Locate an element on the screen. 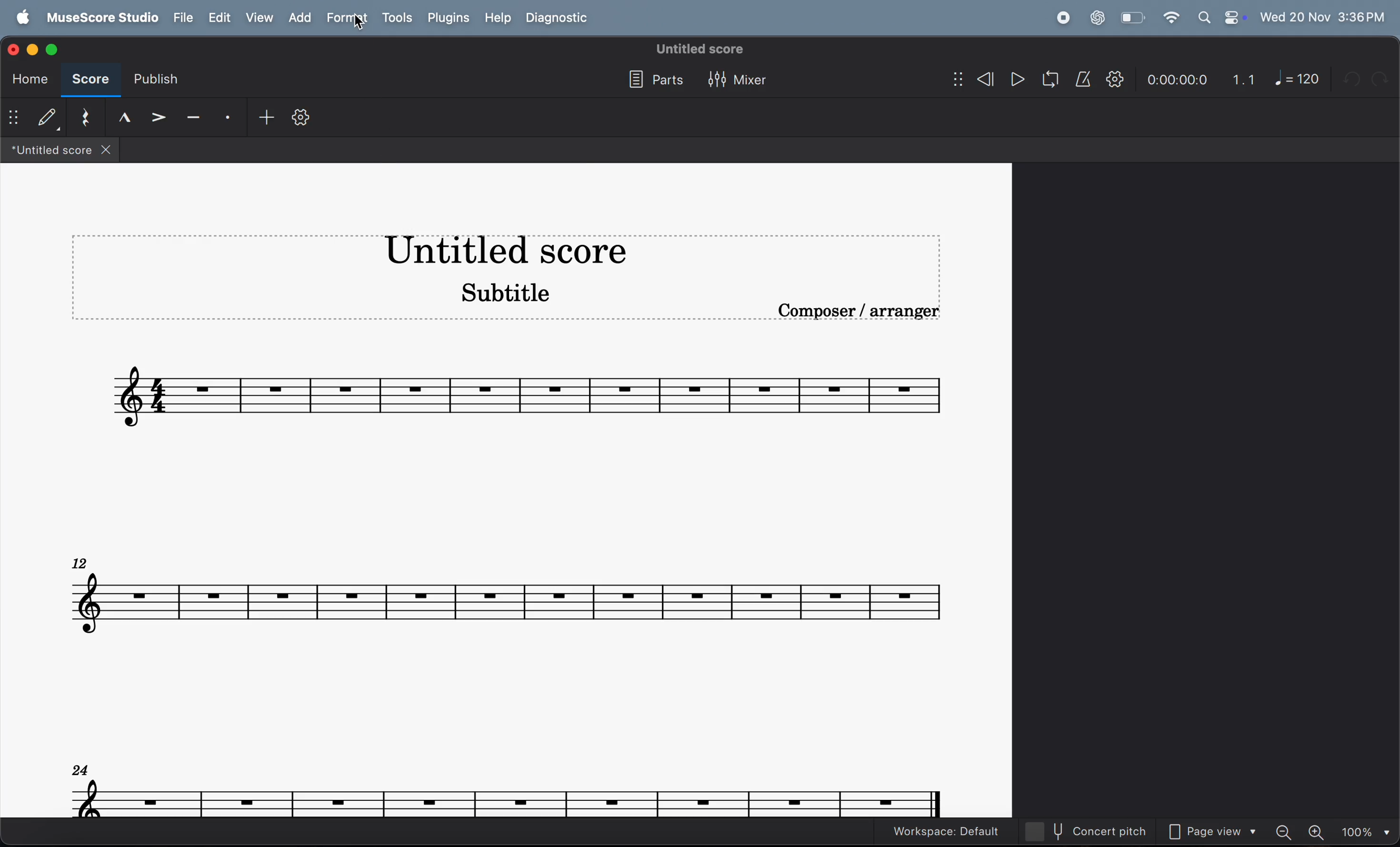 This screenshot has height=847, width=1400. work space default is located at coordinates (945, 832).